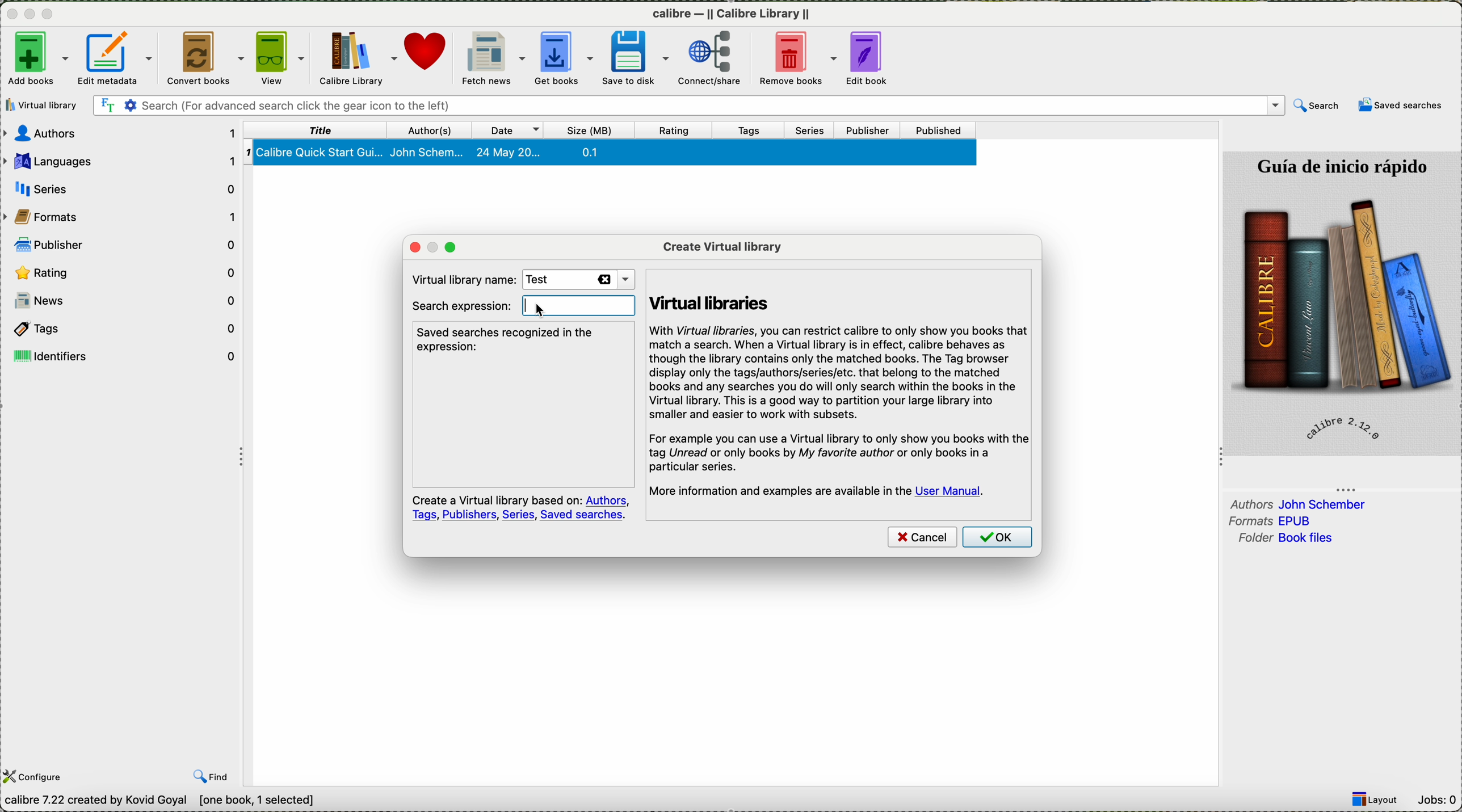 The width and height of the screenshot is (1462, 812). Describe the element at coordinates (922, 538) in the screenshot. I see `cancel` at that location.